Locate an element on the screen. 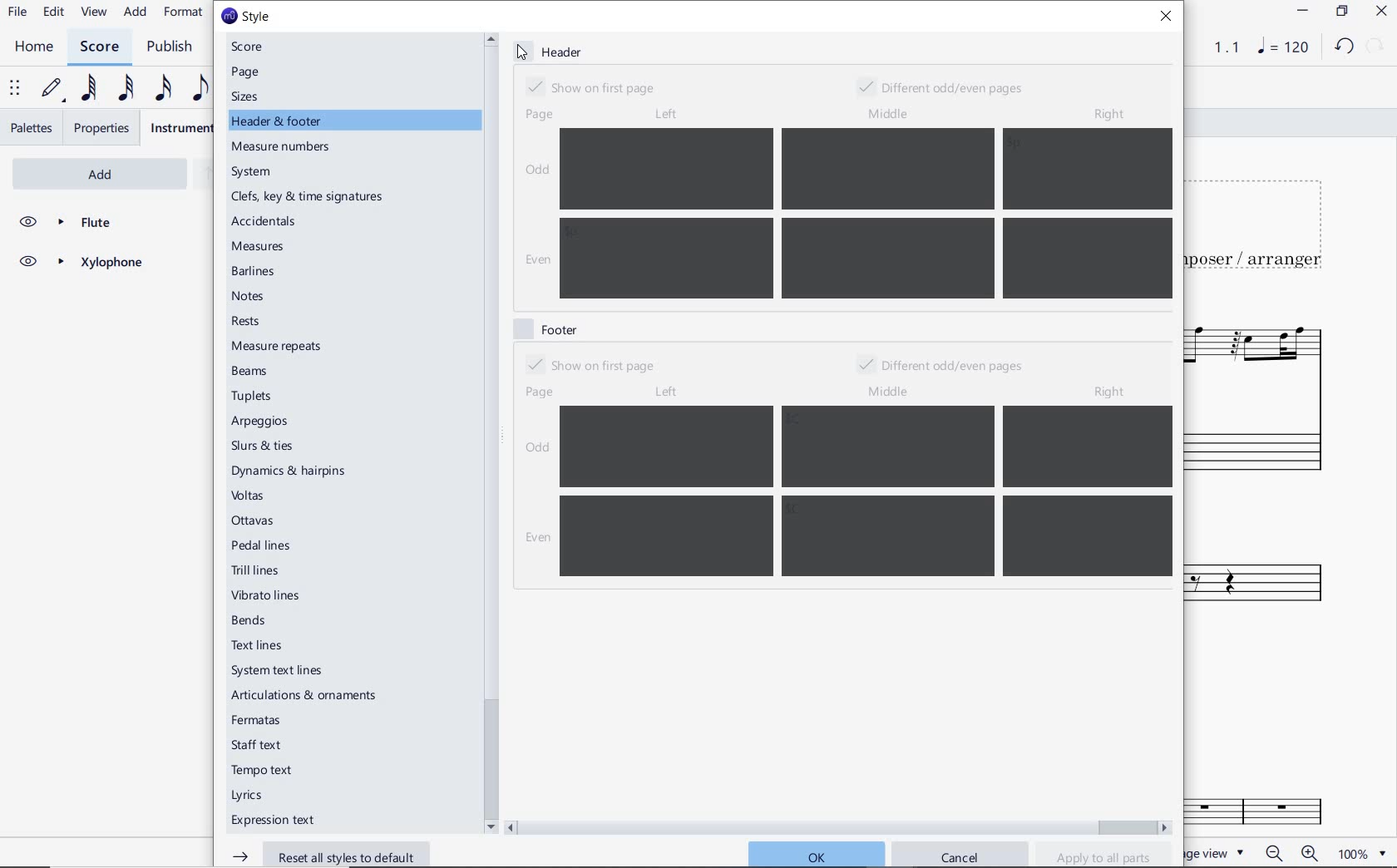 The height and width of the screenshot is (868, 1397). measure numbers is located at coordinates (284, 148).